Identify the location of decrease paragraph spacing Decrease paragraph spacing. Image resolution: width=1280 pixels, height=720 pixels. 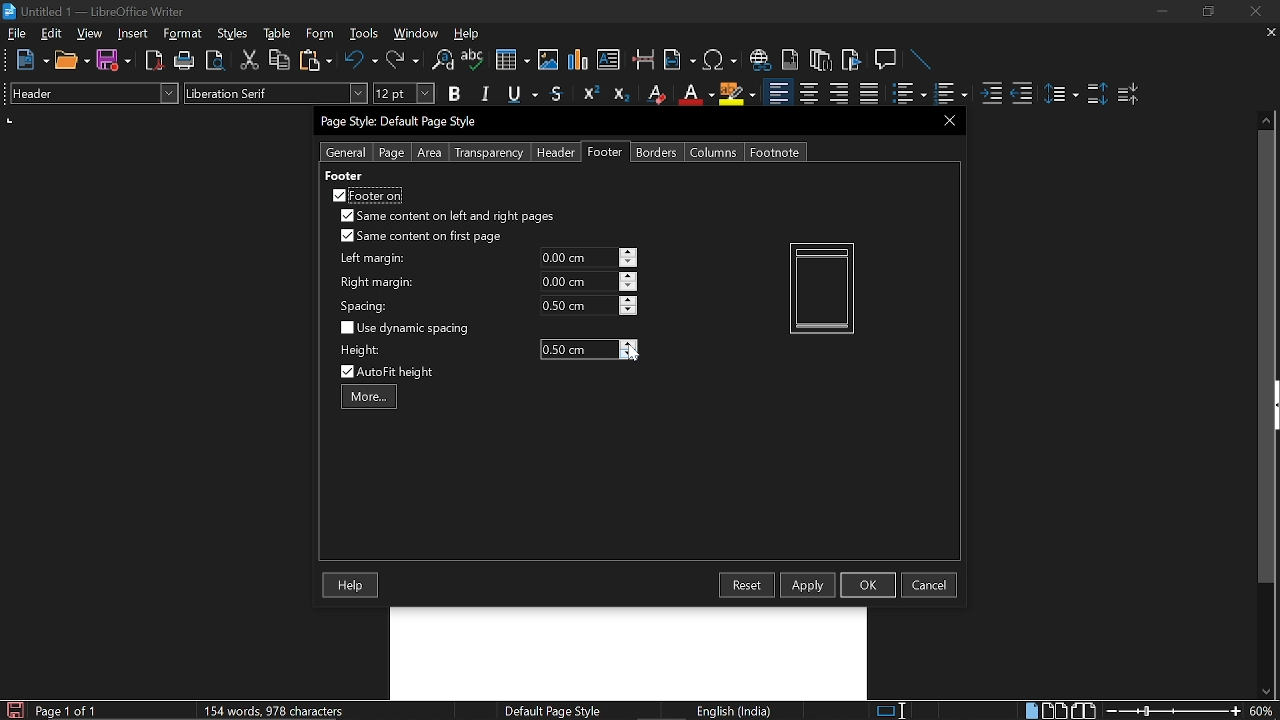
(1130, 93).